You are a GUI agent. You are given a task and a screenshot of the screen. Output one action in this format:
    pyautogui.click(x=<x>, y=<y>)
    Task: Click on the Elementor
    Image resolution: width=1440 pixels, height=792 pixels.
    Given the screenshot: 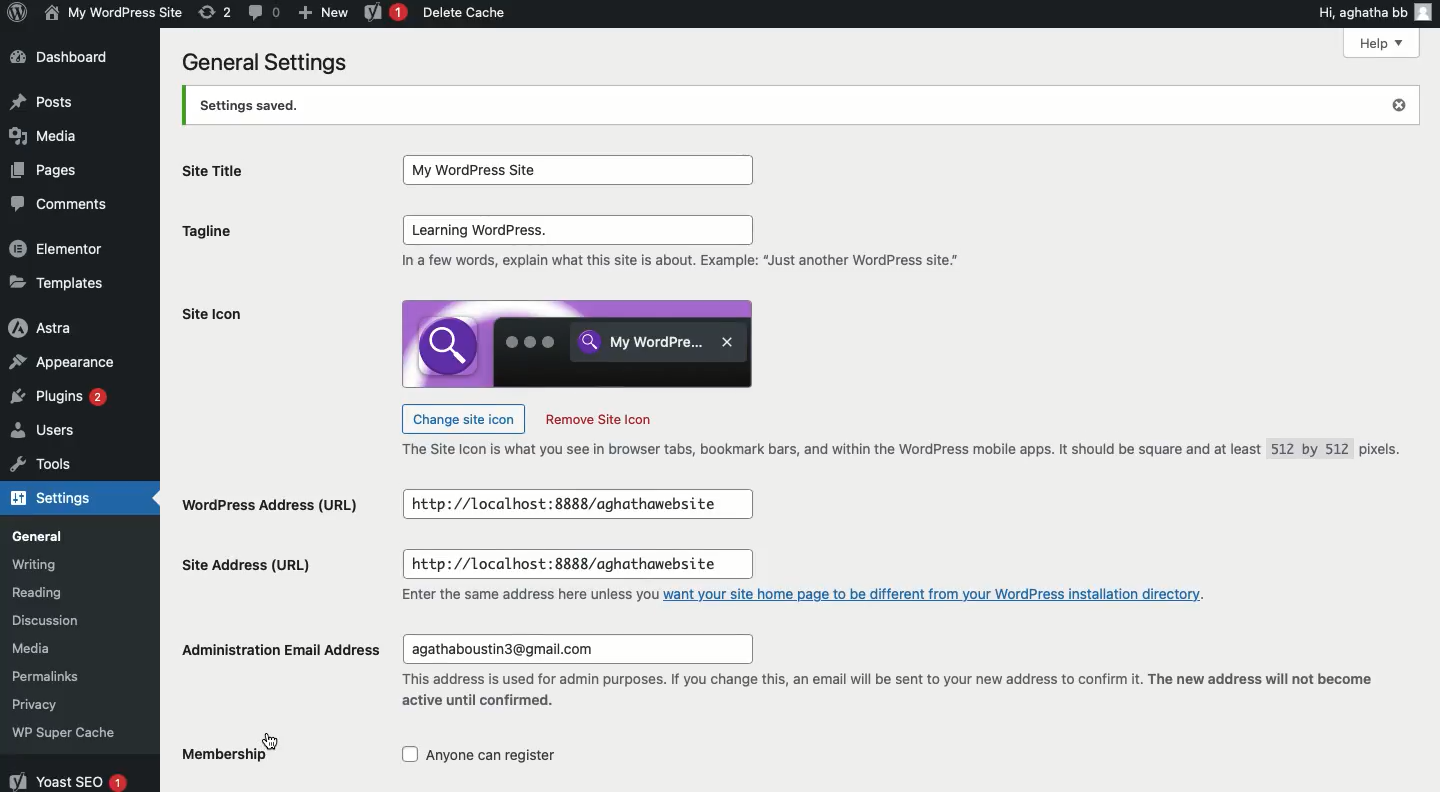 What is the action you would take?
    pyautogui.click(x=62, y=249)
    